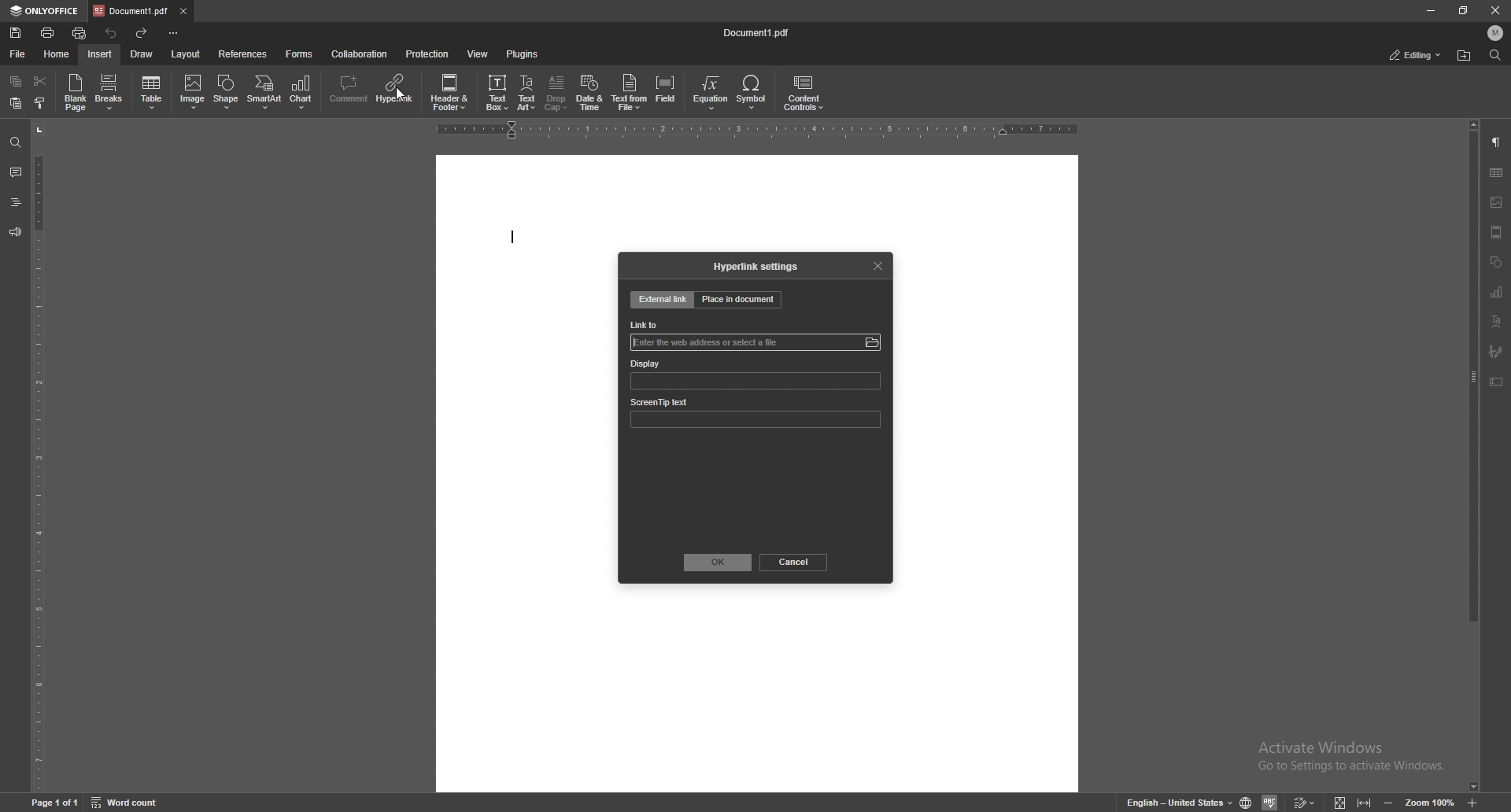  What do you see at coordinates (648, 325) in the screenshot?
I see `link to` at bounding box center [648, 325].